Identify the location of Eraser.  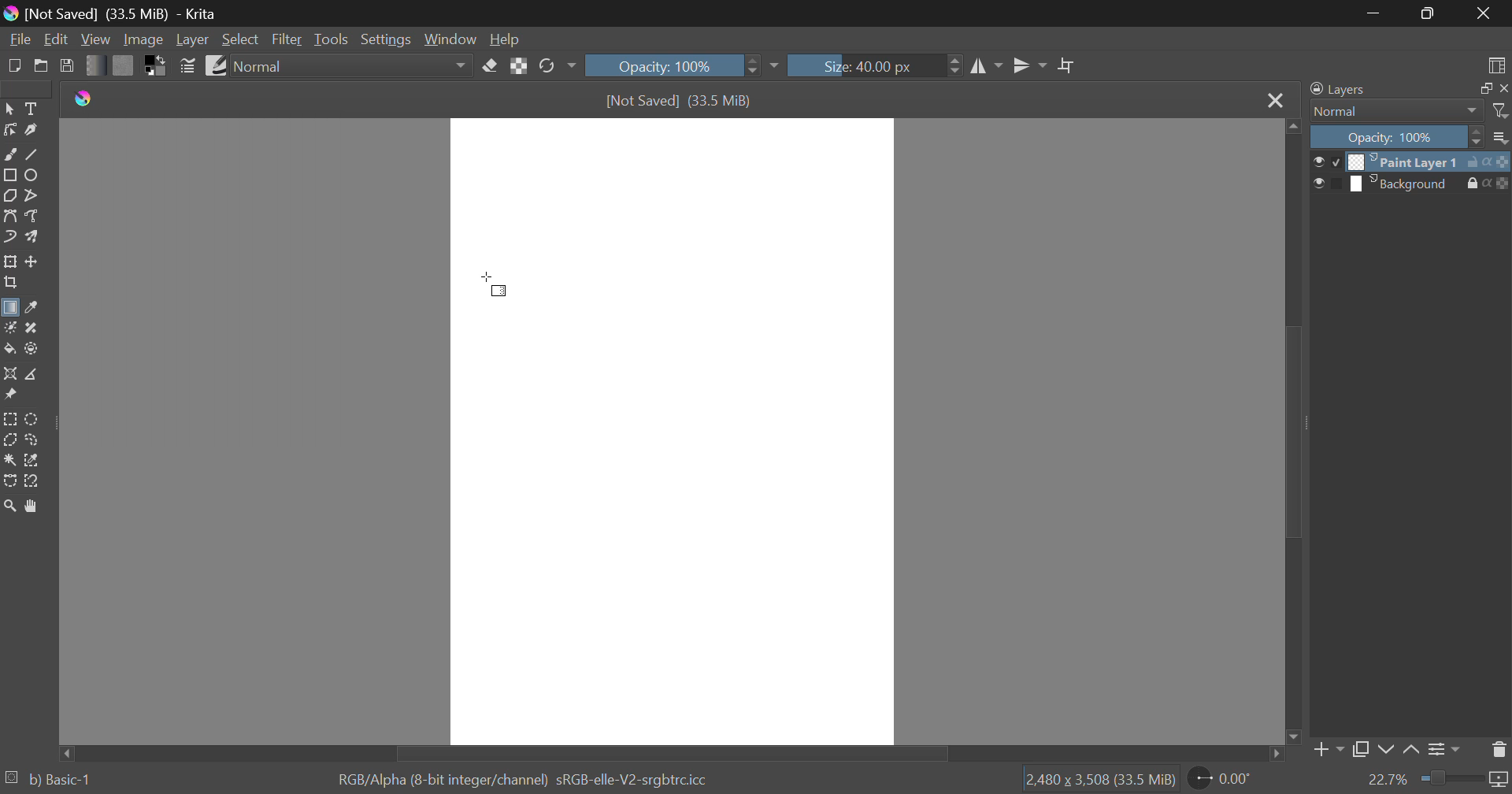
(491, 64).